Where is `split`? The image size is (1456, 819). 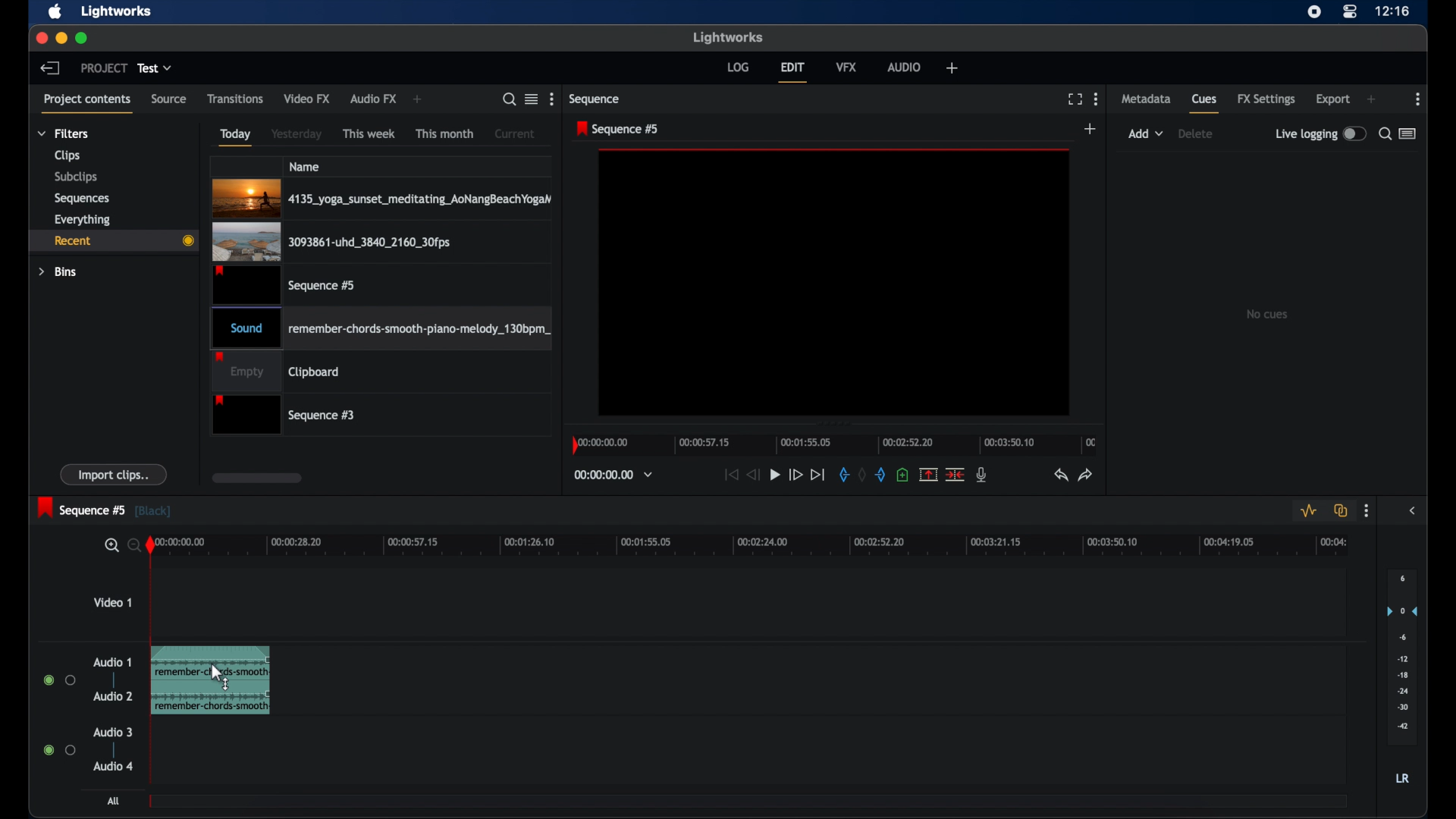 split is located at coordinates (928, 474).